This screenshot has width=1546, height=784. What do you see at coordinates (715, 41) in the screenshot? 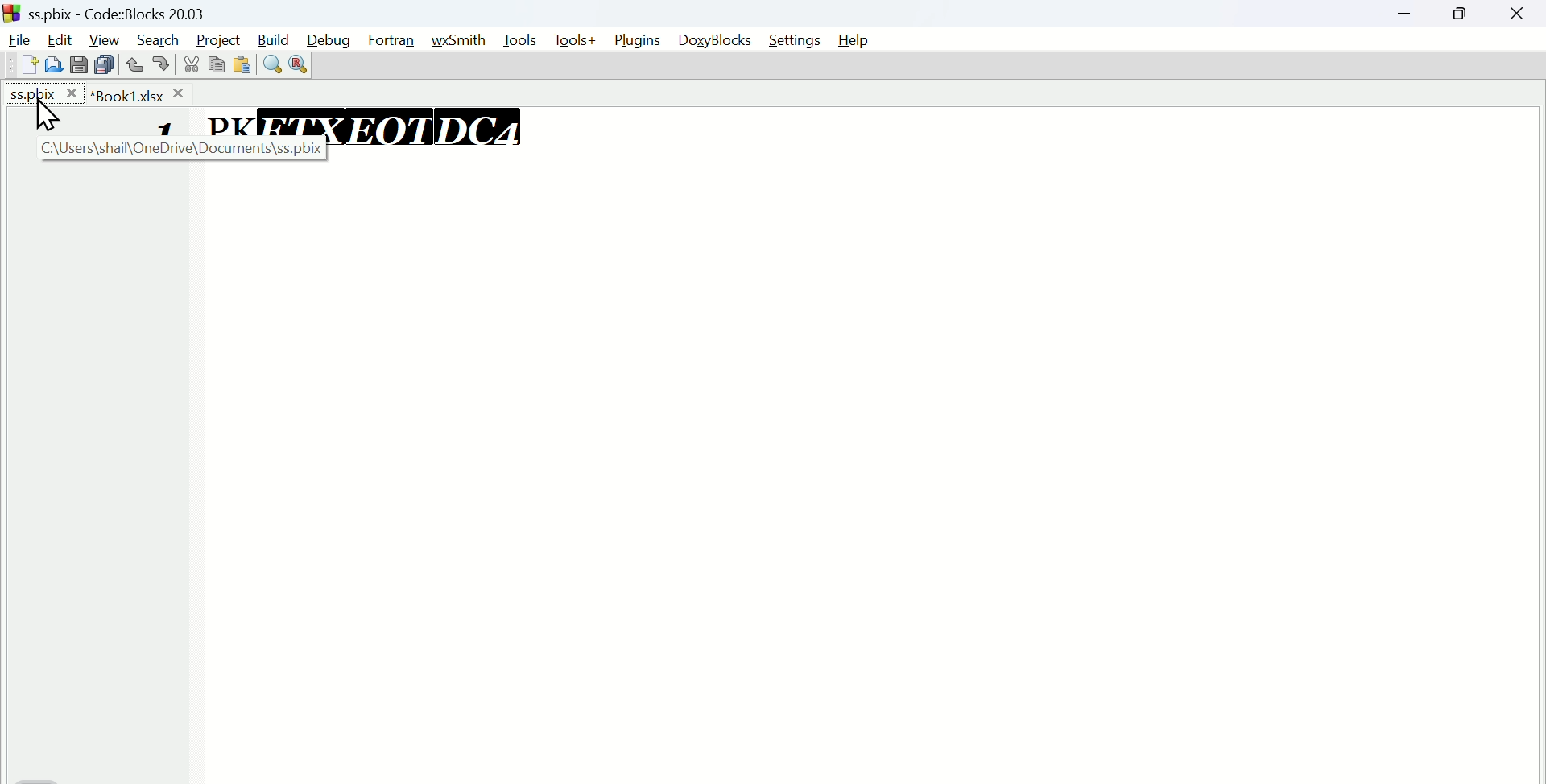
I see `Doxyblocks` at bounding box center [715, 41].